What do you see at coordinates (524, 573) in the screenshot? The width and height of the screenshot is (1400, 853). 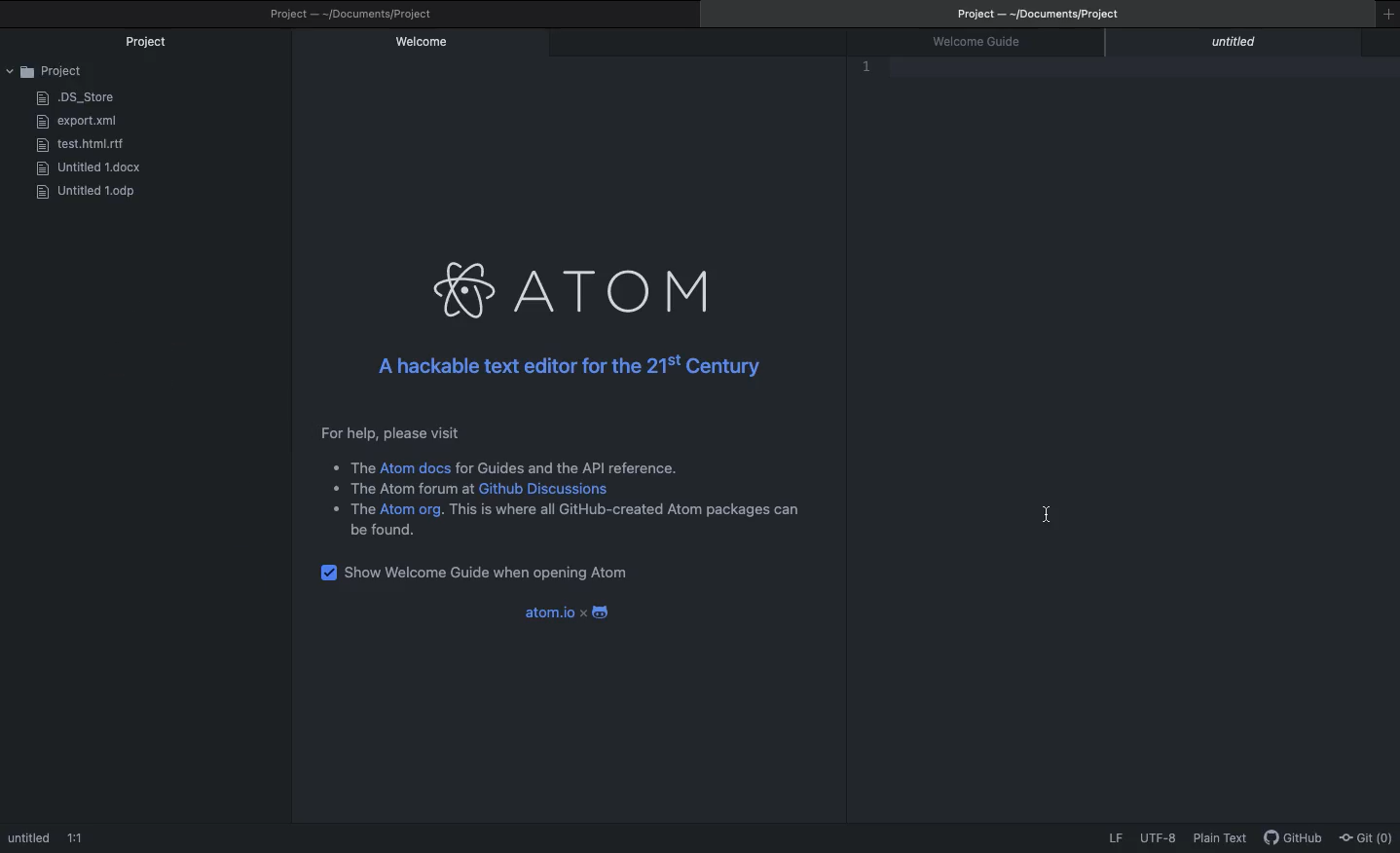 I see `® Show Welcome Guide when opening Atom` at bounding box center [524, 573].